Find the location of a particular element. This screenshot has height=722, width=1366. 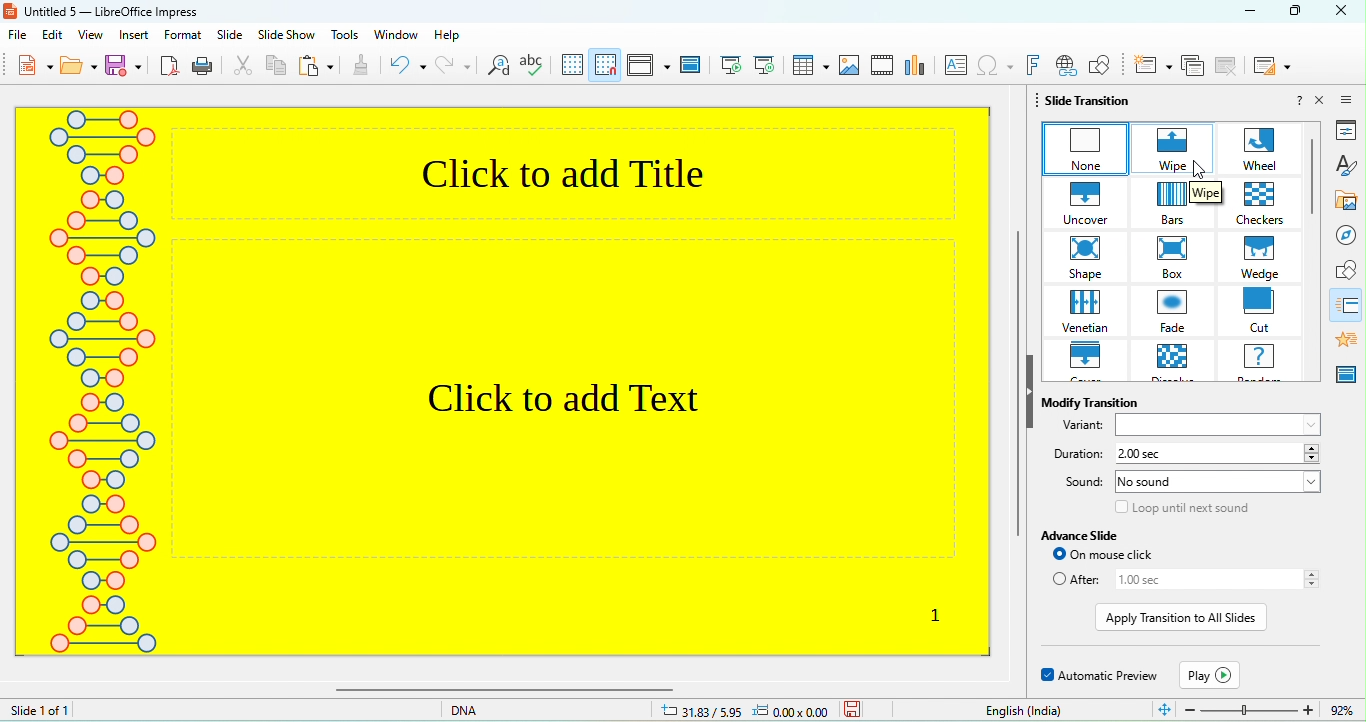

delete slide is located at coordinates (1227, 66).